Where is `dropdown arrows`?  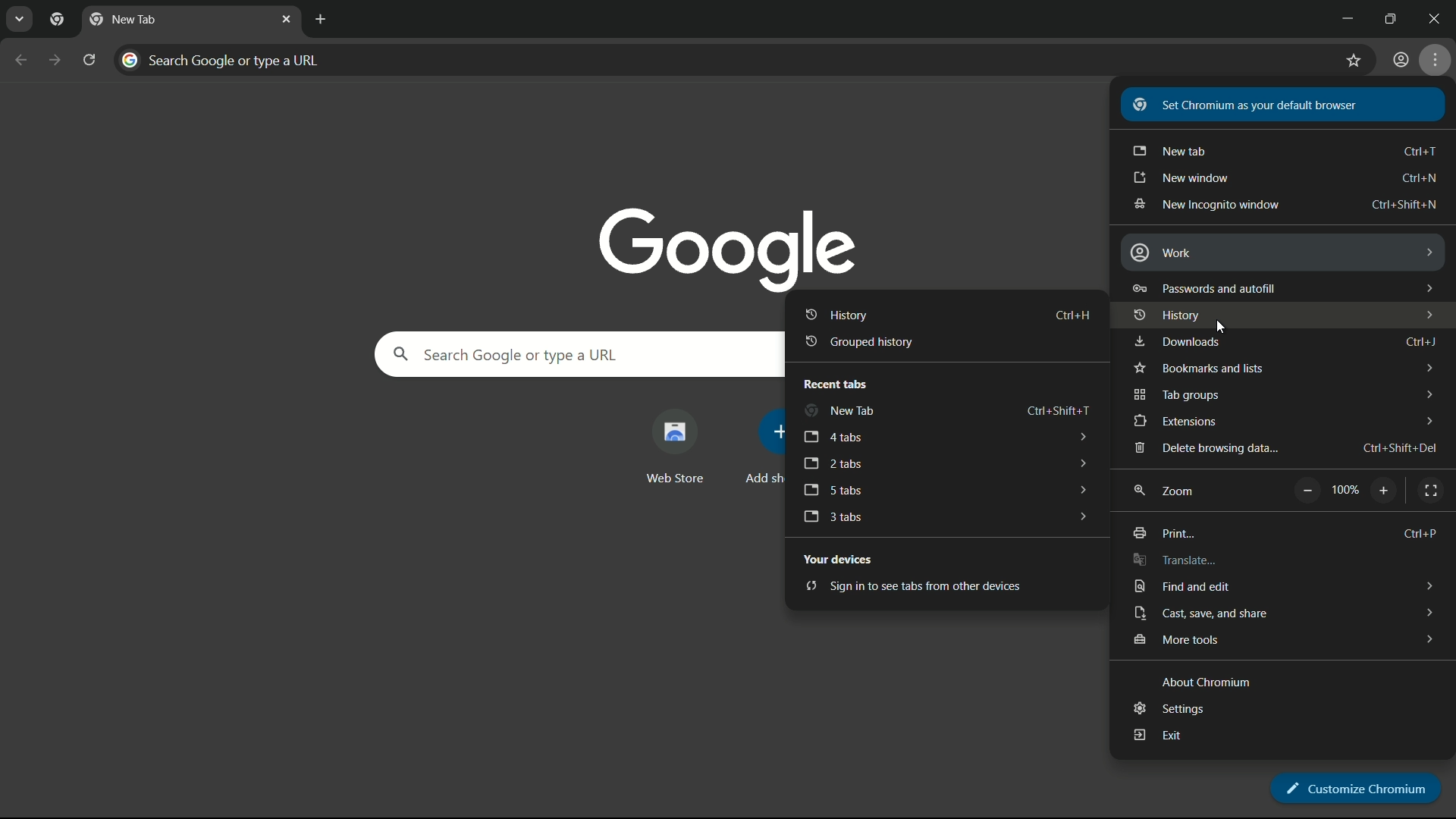
dropdown arrows is located at coordinates (1428, 367).